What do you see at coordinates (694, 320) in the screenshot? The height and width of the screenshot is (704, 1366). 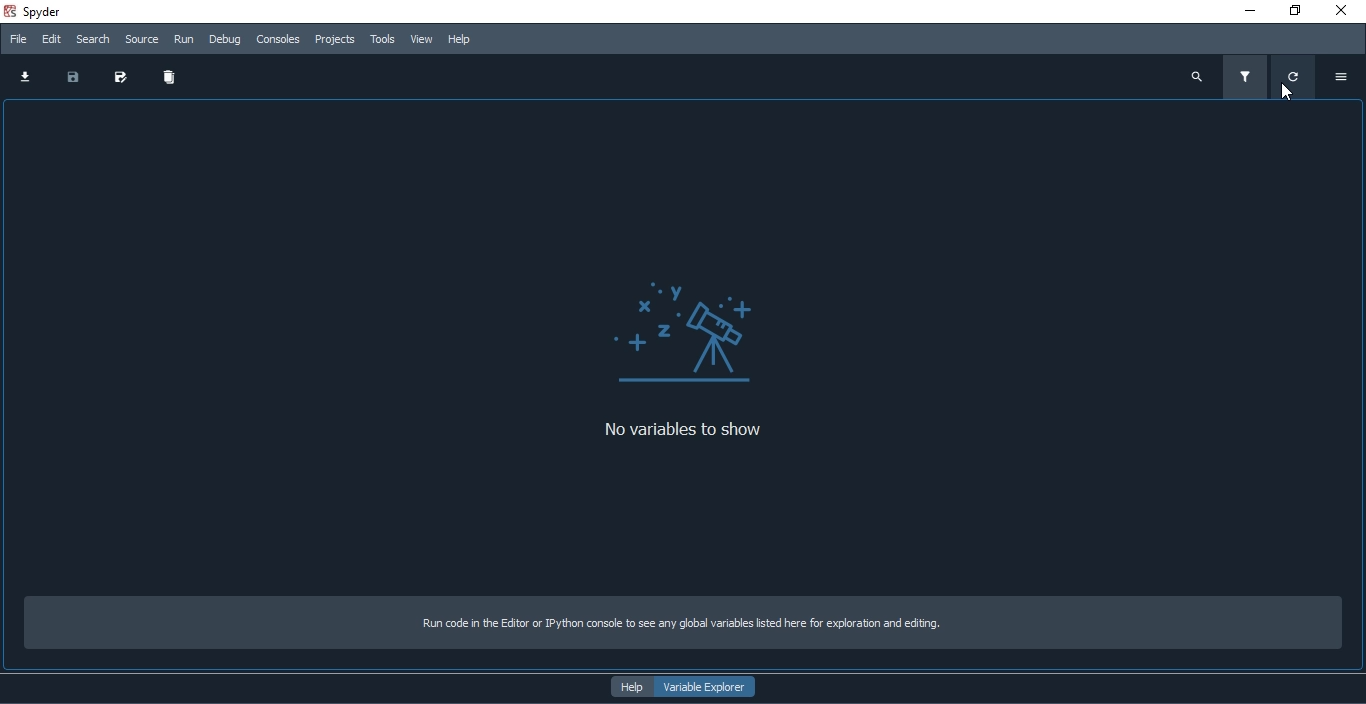 I see `Logo` at bounding box center [694, 320].